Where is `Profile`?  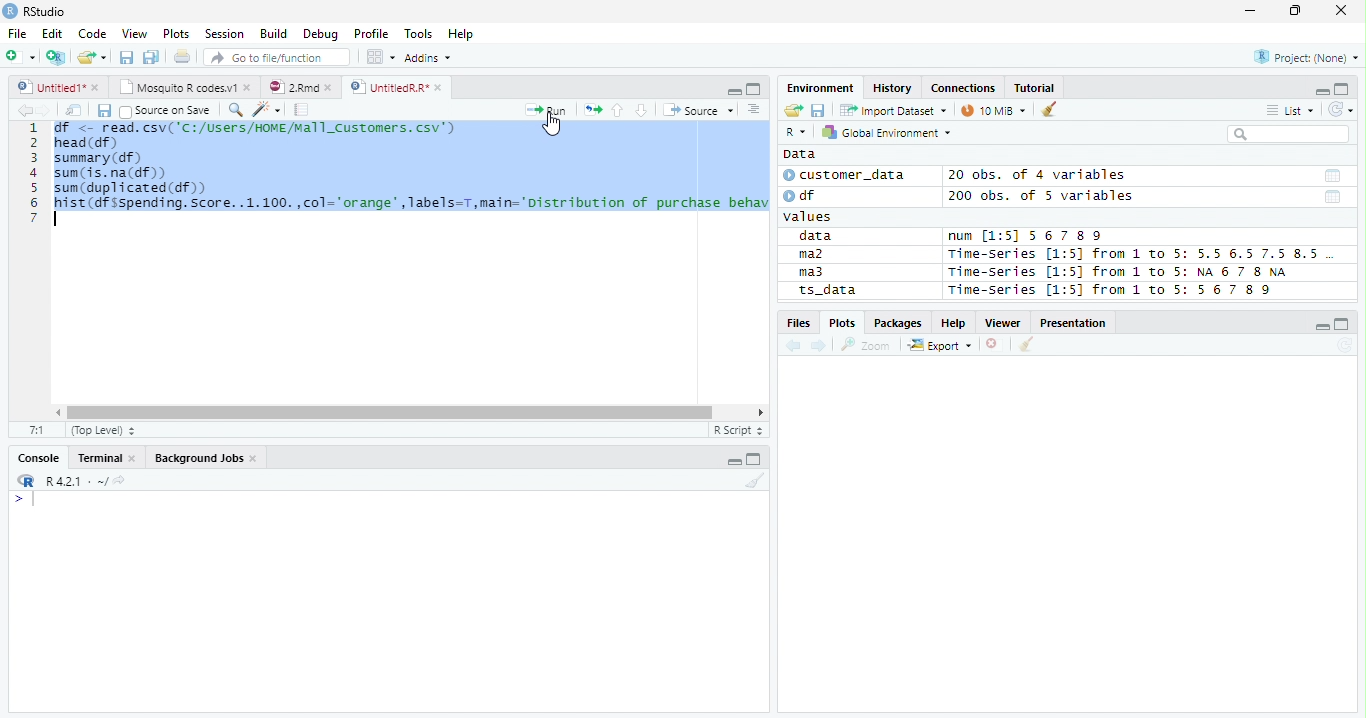 Profile is located at coordinates (370, 34).